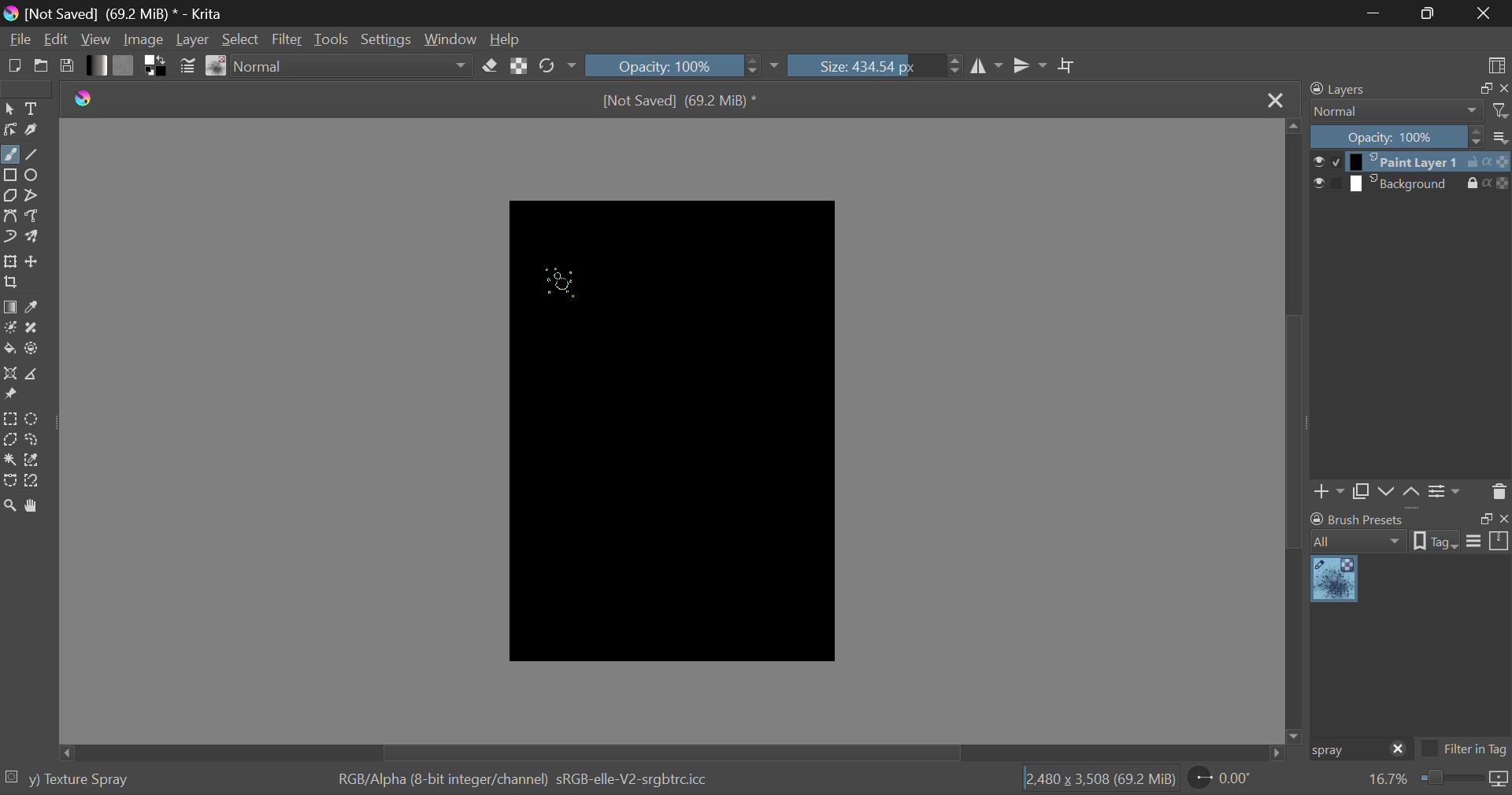 Image resolution: width=1512 pixels, height=795 pixels. I want to click on Blank Black Fill Canvas, so click(675, 432).